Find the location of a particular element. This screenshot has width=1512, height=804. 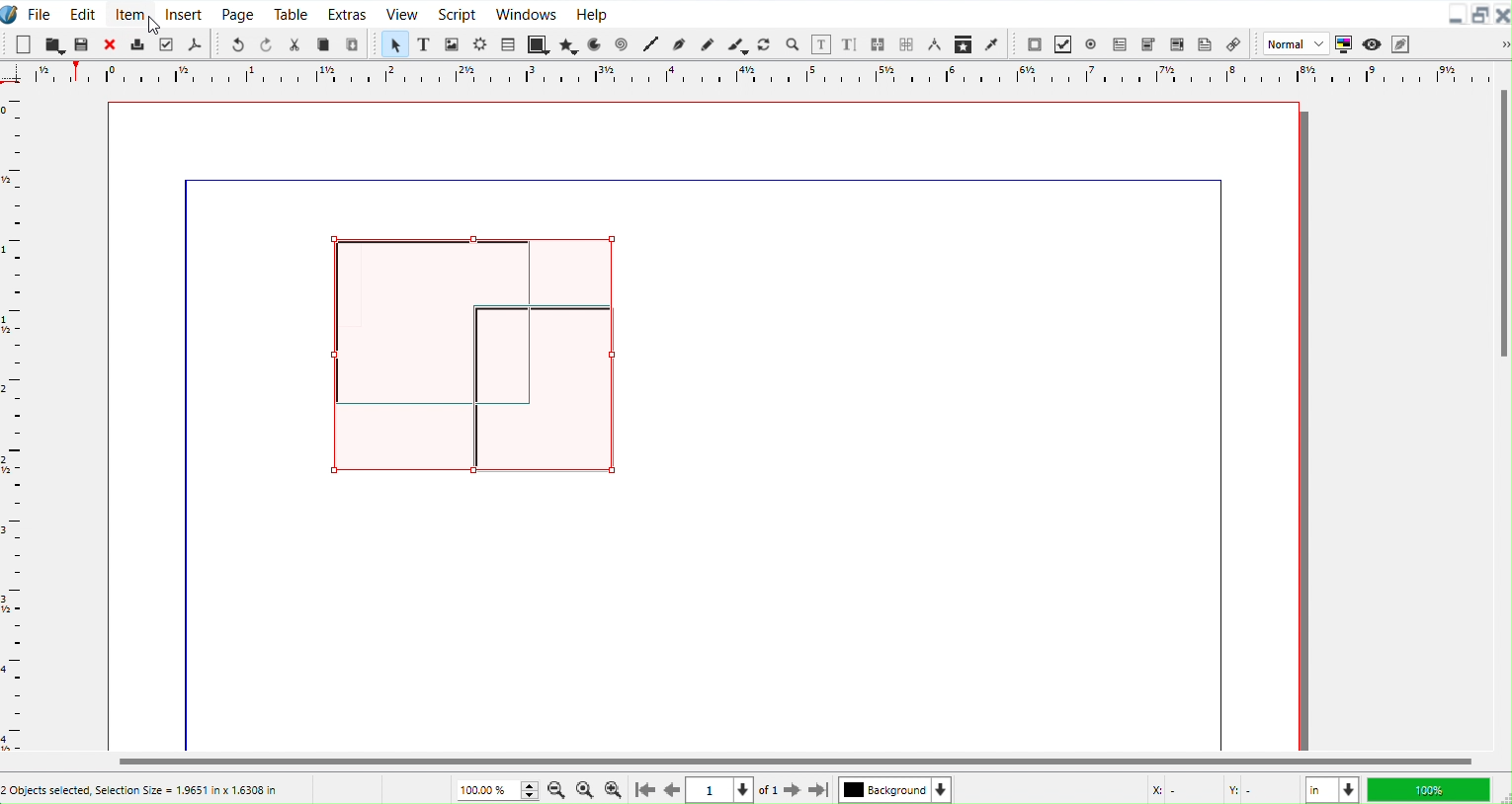

Measurement in Inches  is located at coordinates (1332, 789).